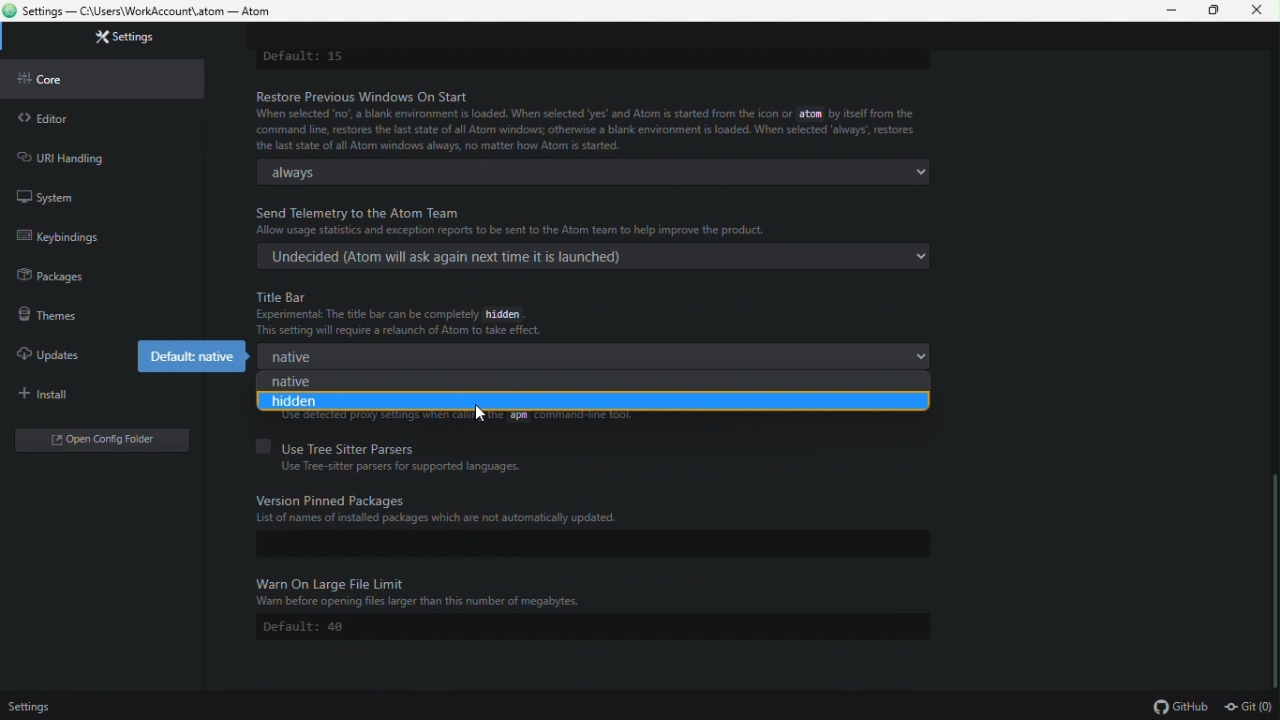 The image size is (1280, 720). What do you see at coordinates (74, 194) in the screenshot?
I see `system` at bounding box center [74, 194].